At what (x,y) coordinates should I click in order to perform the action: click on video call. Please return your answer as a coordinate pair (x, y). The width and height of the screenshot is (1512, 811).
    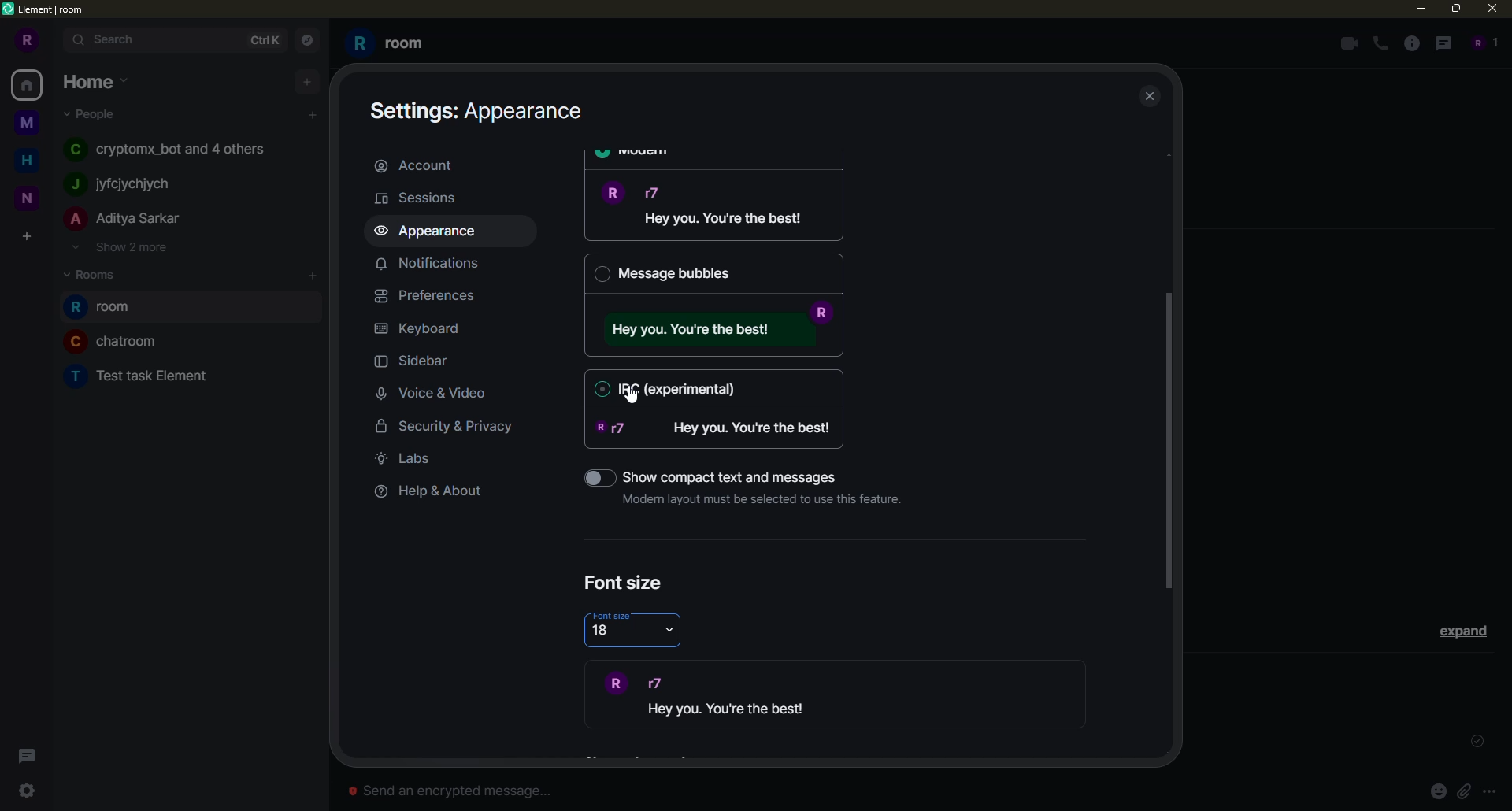
    Looking at the image, I should click on (1347, 43).